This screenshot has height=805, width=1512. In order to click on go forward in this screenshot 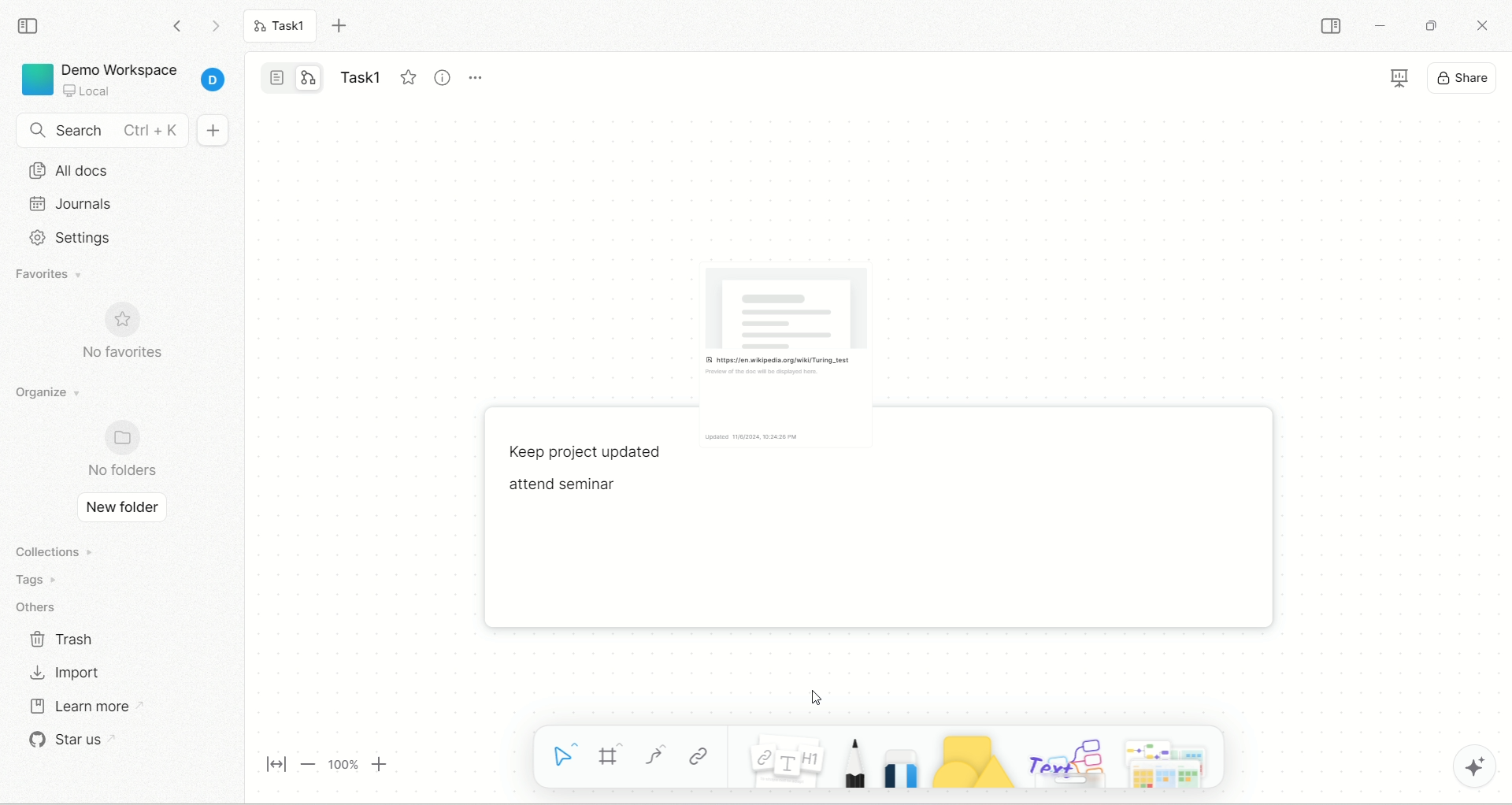, I will do `click(214, 26)`.